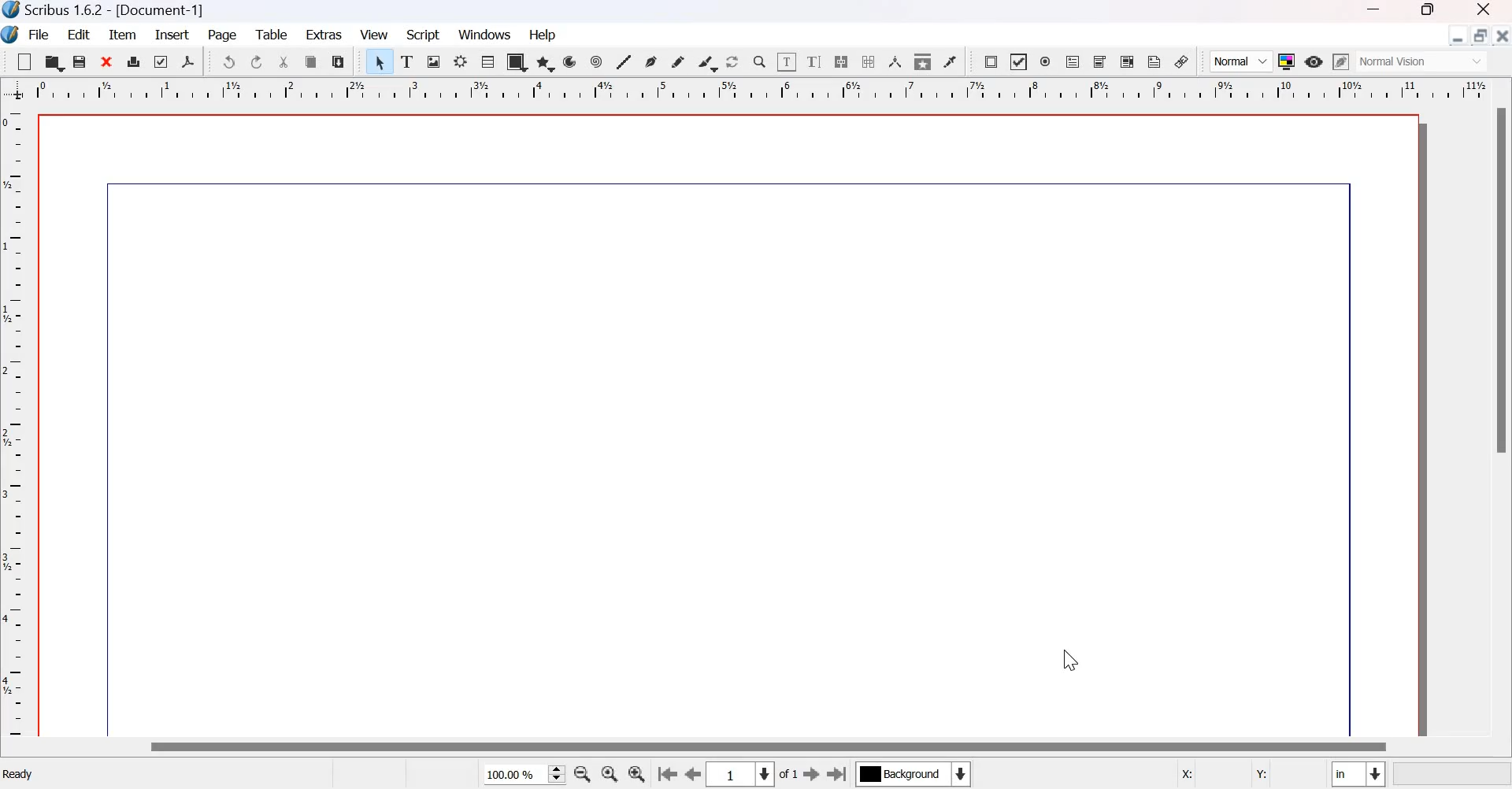 The image size is (1512, 789). What do you see at coordinates (171, 34) in the screenshot?
I see `insert` at bounding box center [171, 34].